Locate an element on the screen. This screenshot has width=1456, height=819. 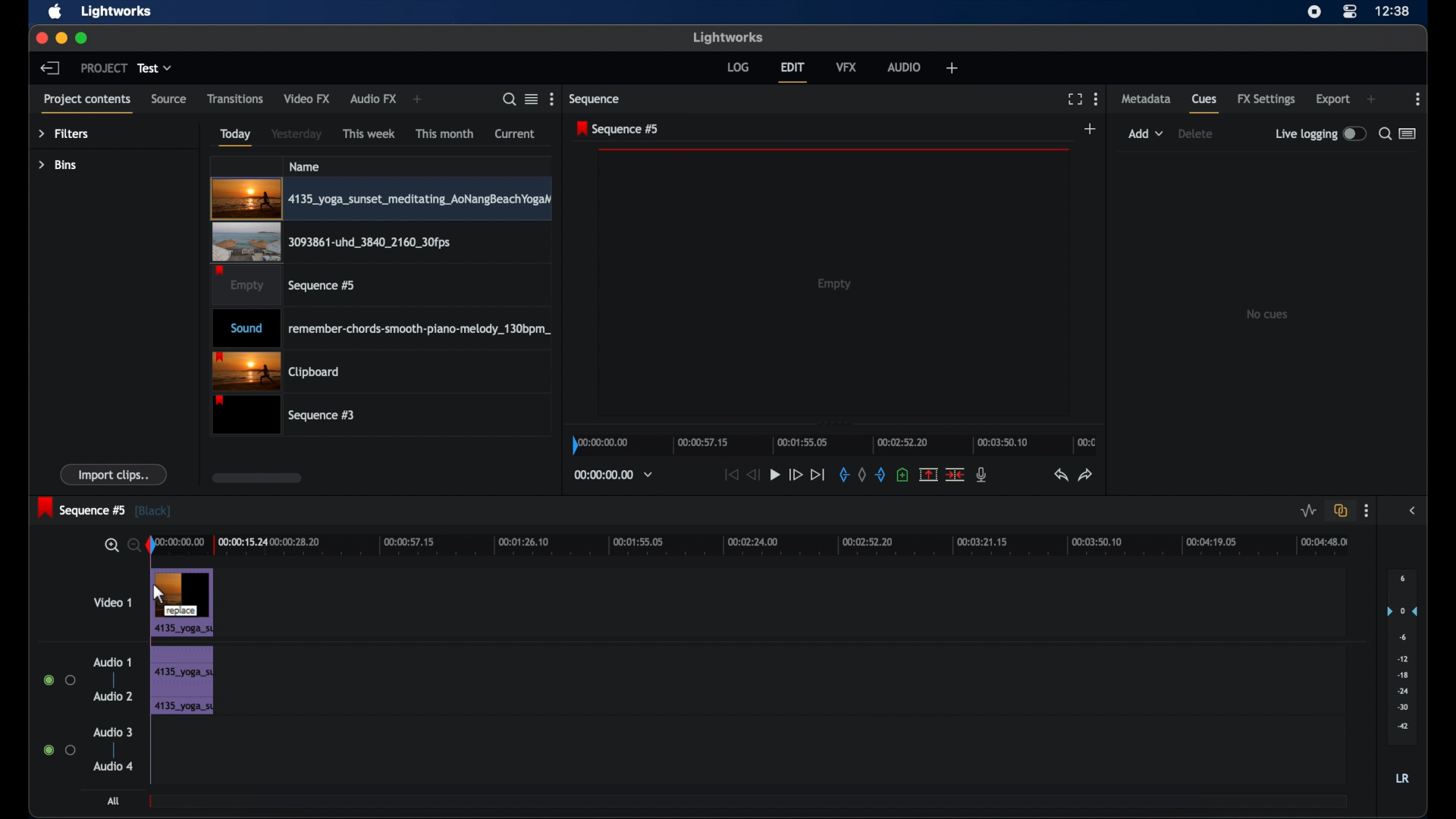
add is located at coordinates (1091, 128).